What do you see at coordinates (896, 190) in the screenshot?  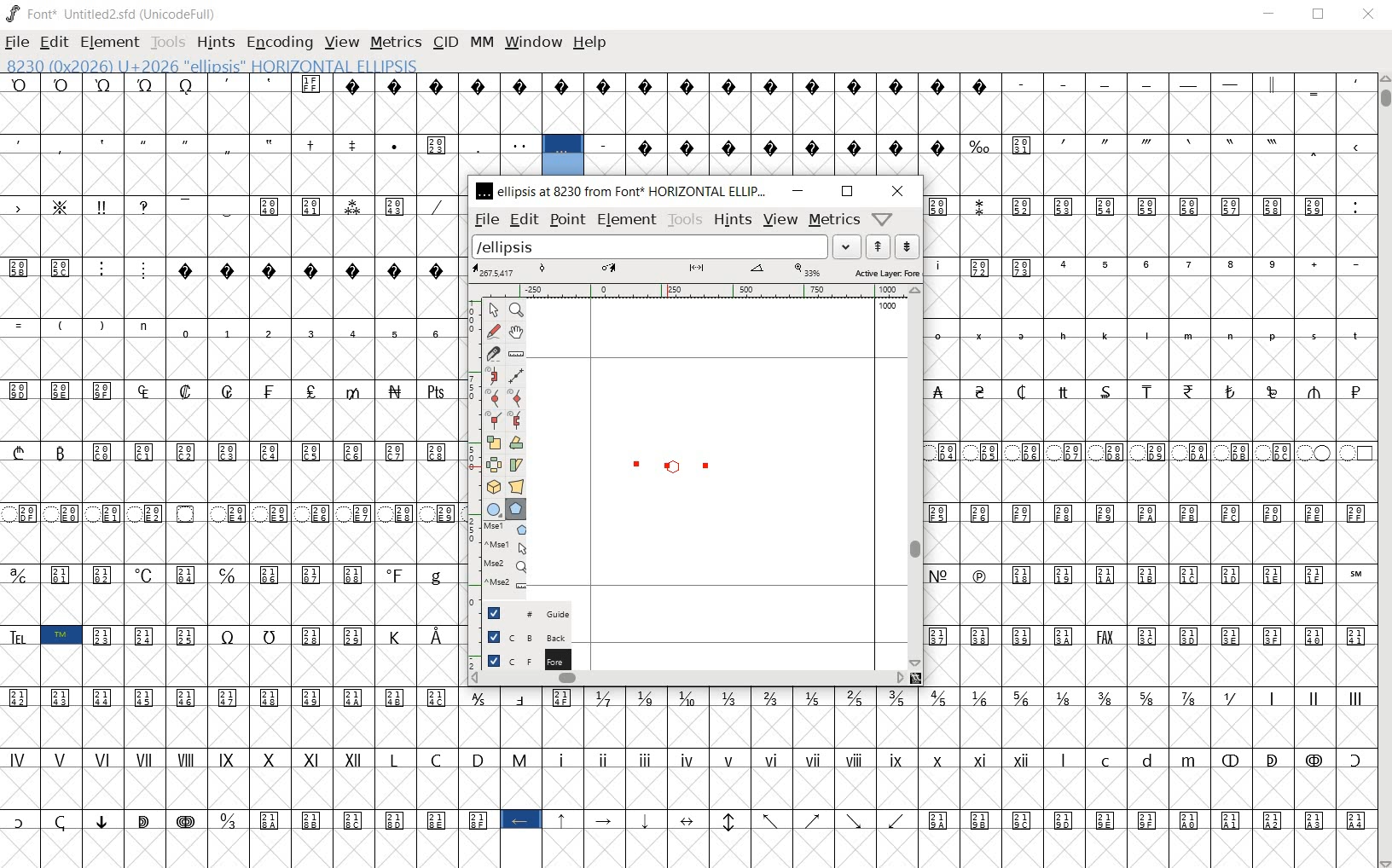 I see `close` at bounding box center [896, 190].